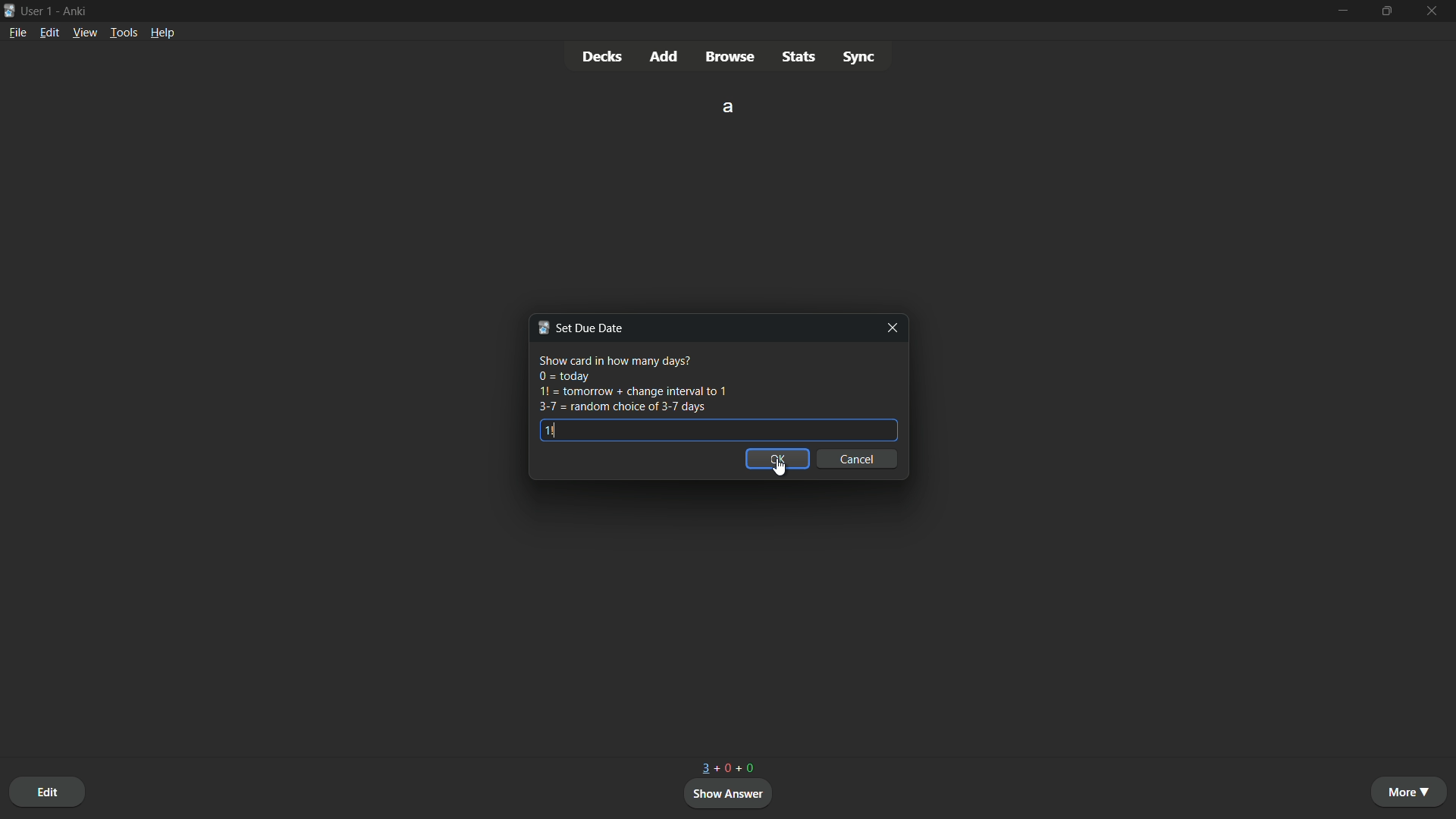 This screenshot has height=819, width=1456. What do you see at coordinates (76, 12) in the screenshot?
I see `app name` at bounding box center [76, 12].